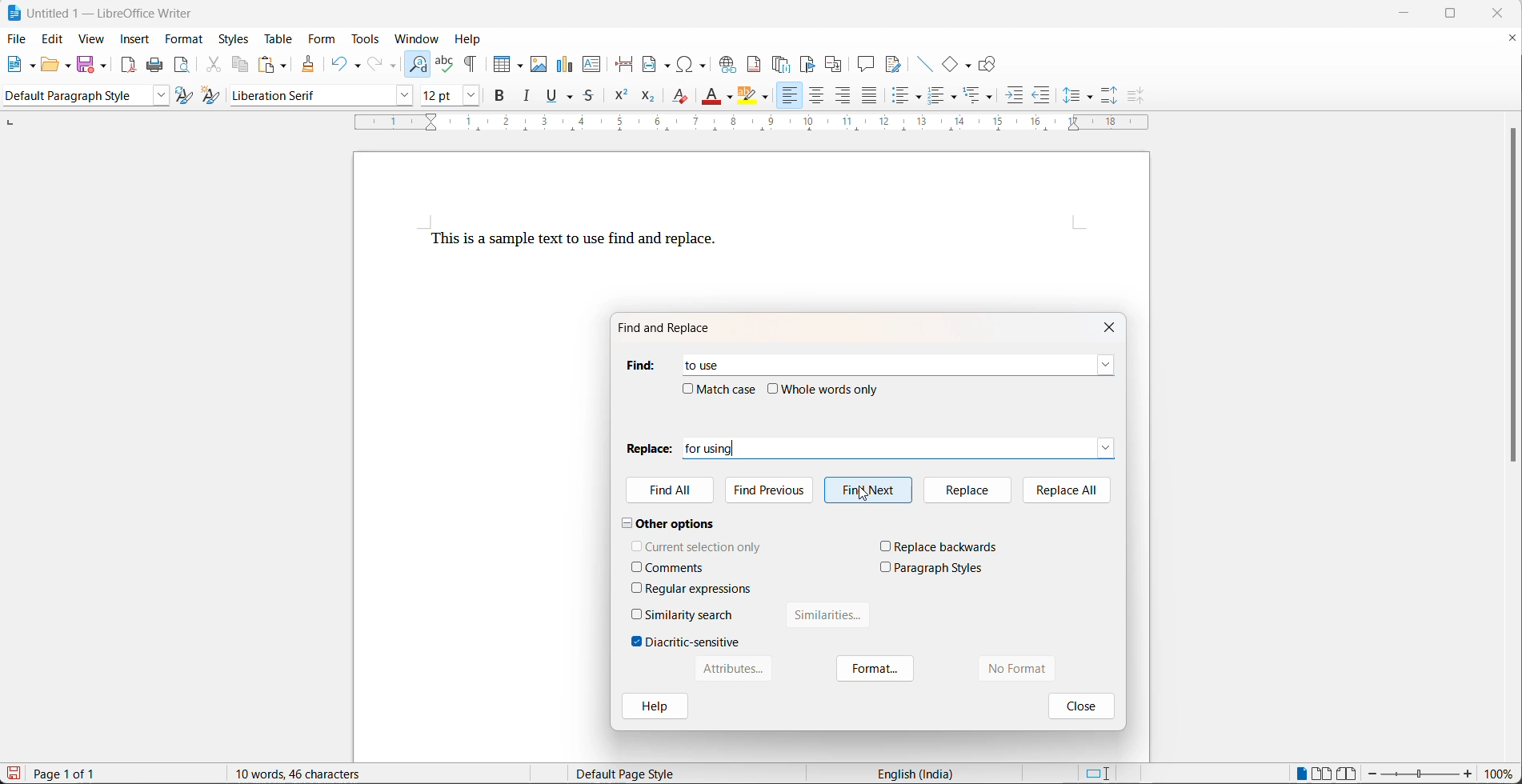 The height and width of the screenshot is (784, 1522). I want to click on export as pdf, so click(128, 64).